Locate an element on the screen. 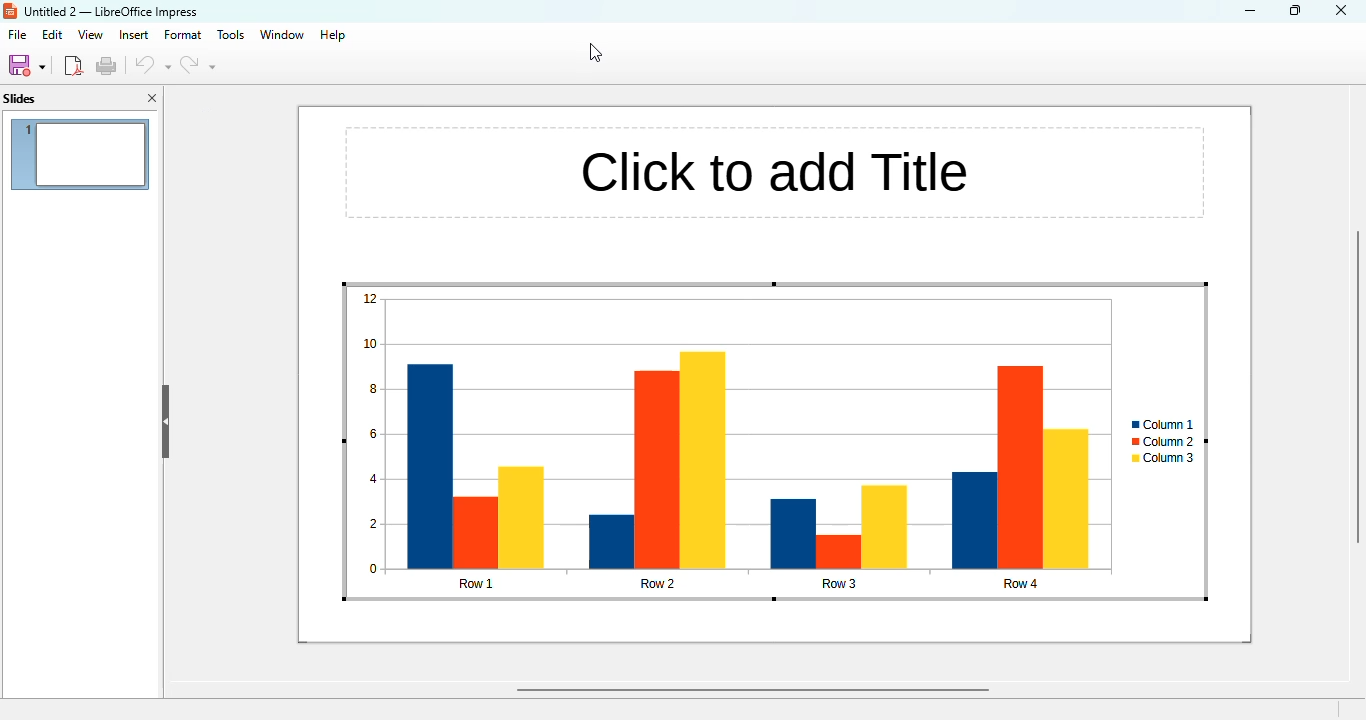  slide 1 is located at coordinates (80, 155).